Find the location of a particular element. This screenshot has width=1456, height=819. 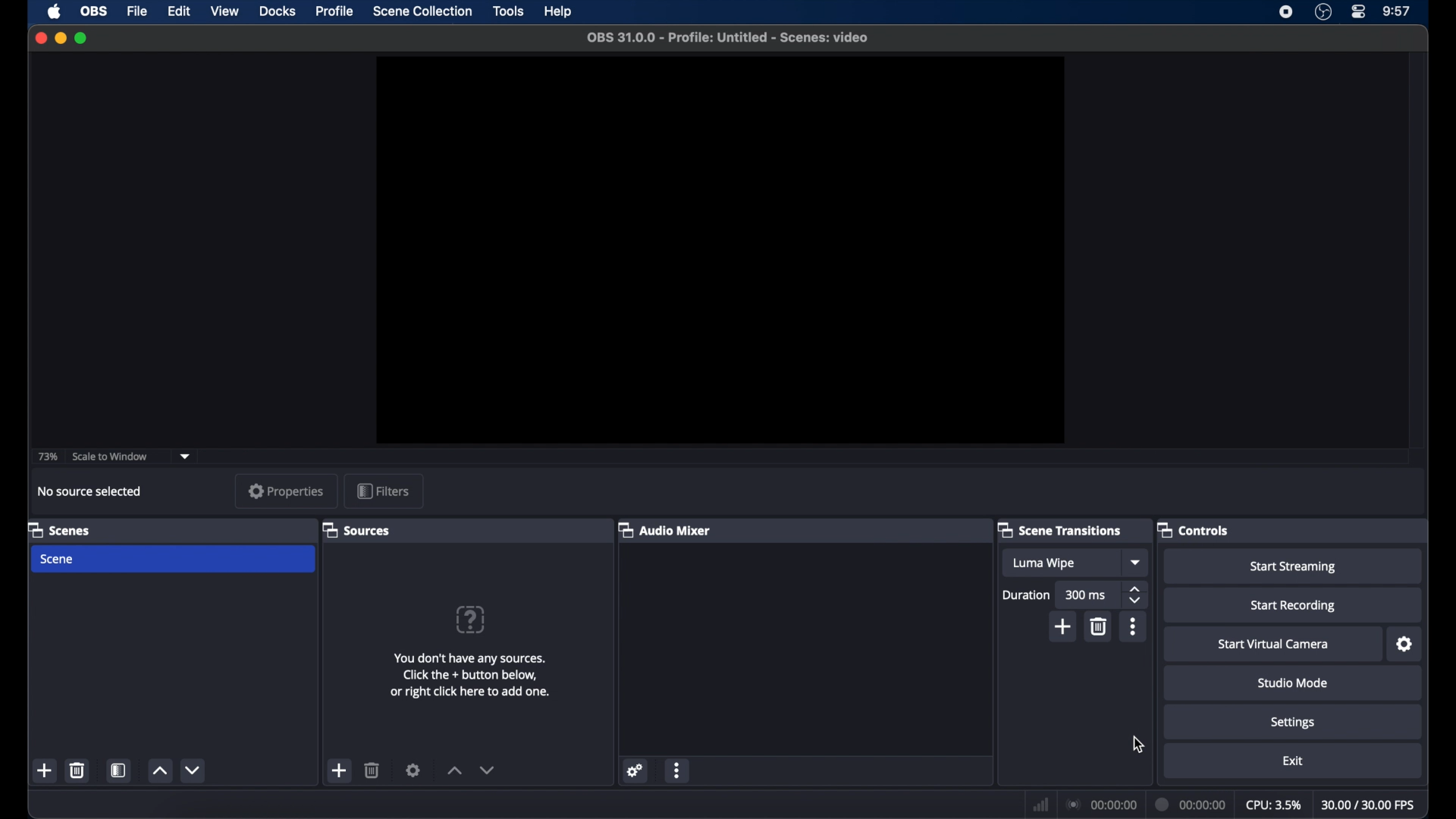

file name is located at coordinates (730, 38).